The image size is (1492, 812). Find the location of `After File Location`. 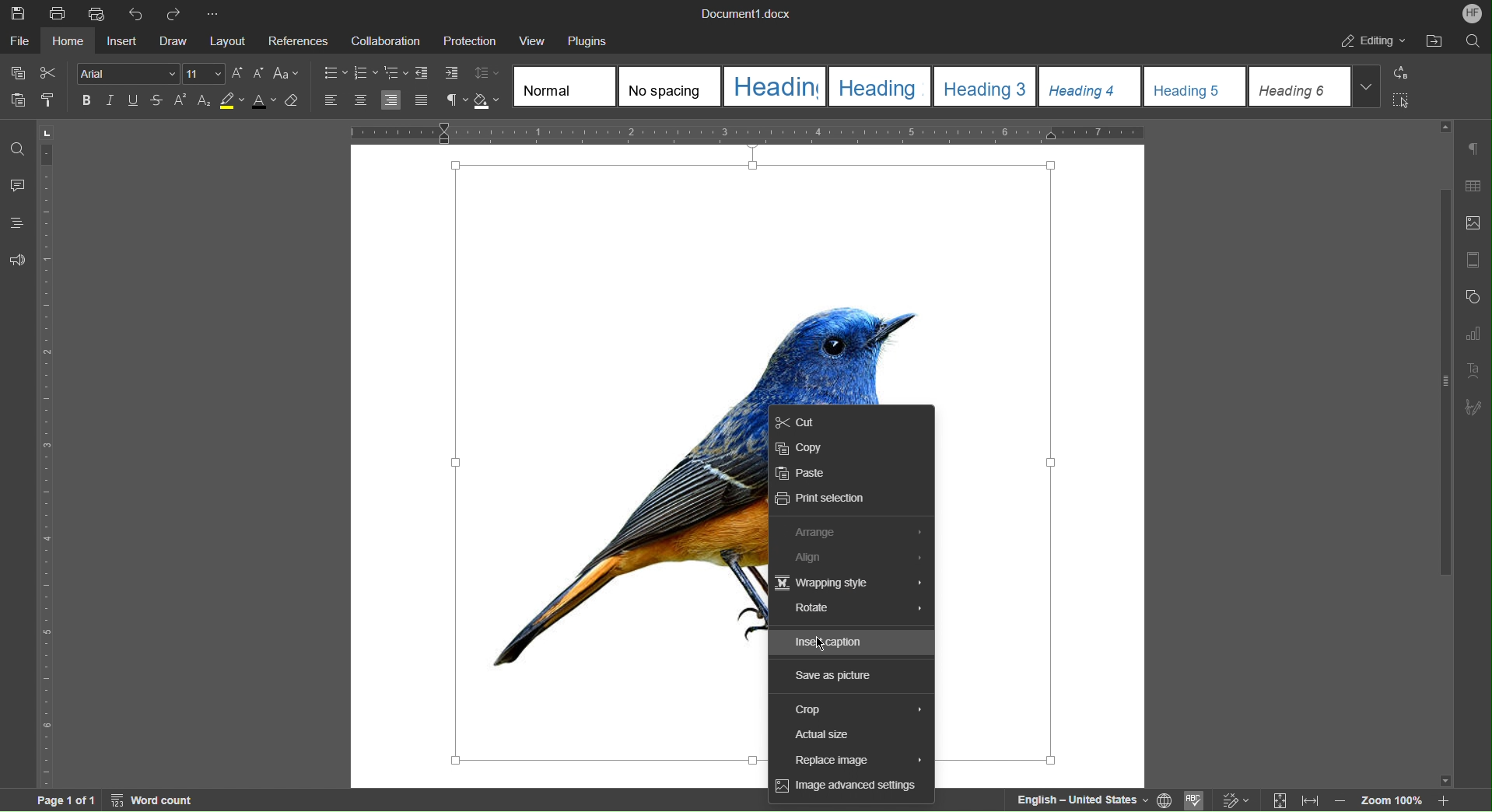

After File Location is located at coordinates (1433, 40).